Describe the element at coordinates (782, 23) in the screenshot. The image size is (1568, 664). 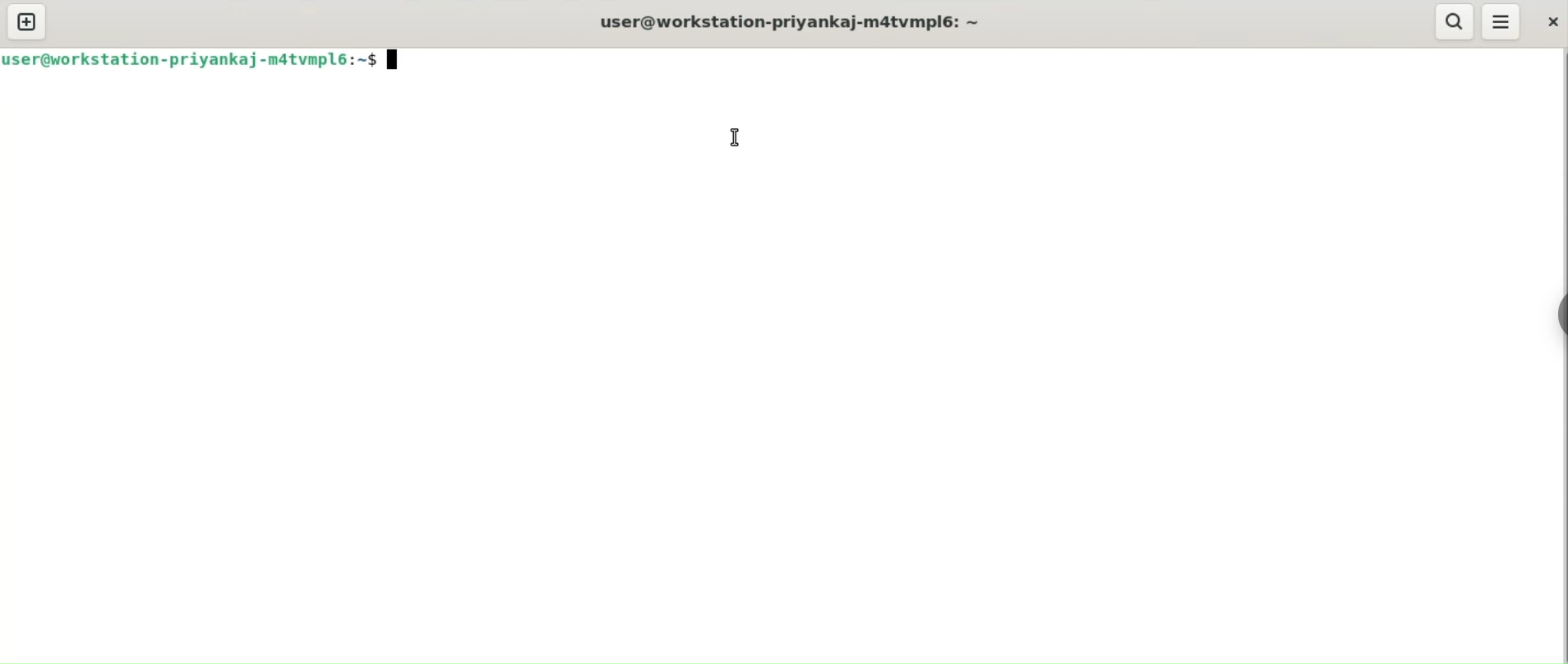
I see `user@workstation-priyankaj-m4atvmpl6: ~` at that location.